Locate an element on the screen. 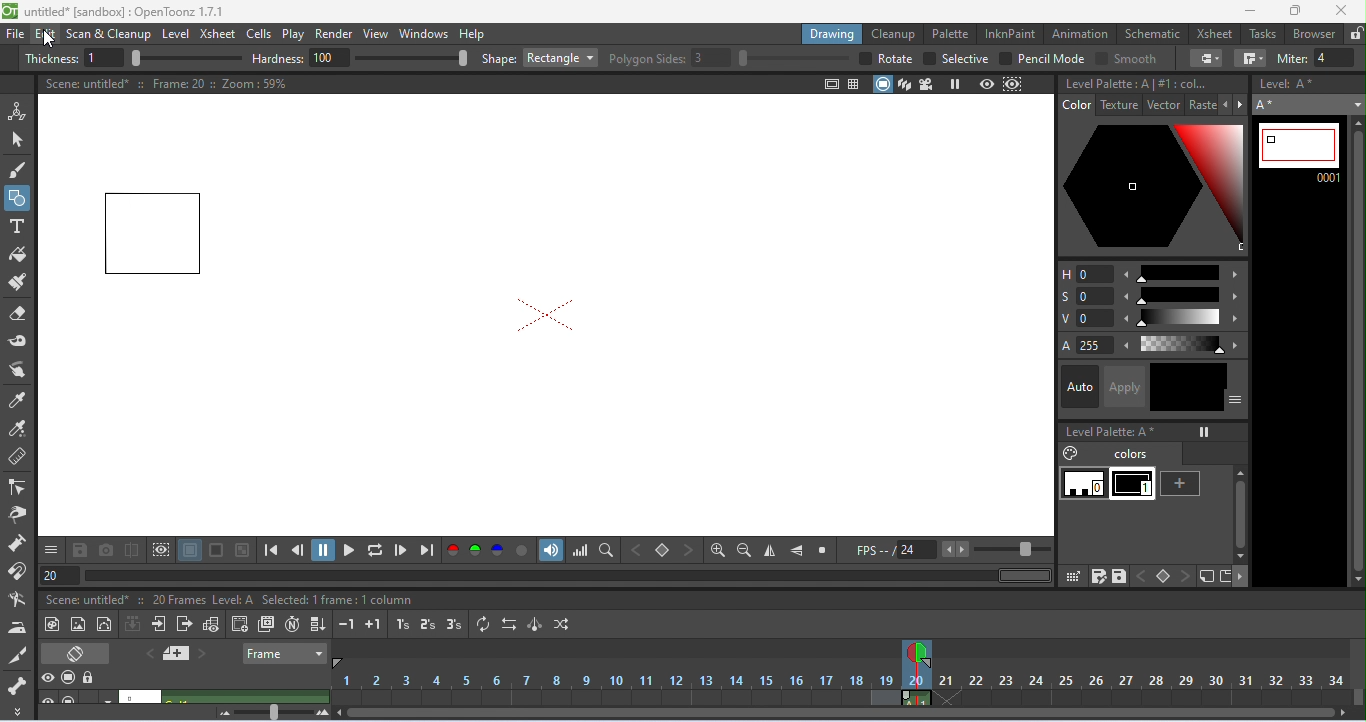 Image resolution: width=1366 pixels, height=722 pixels. next frame is located at coordinates (400, 550).